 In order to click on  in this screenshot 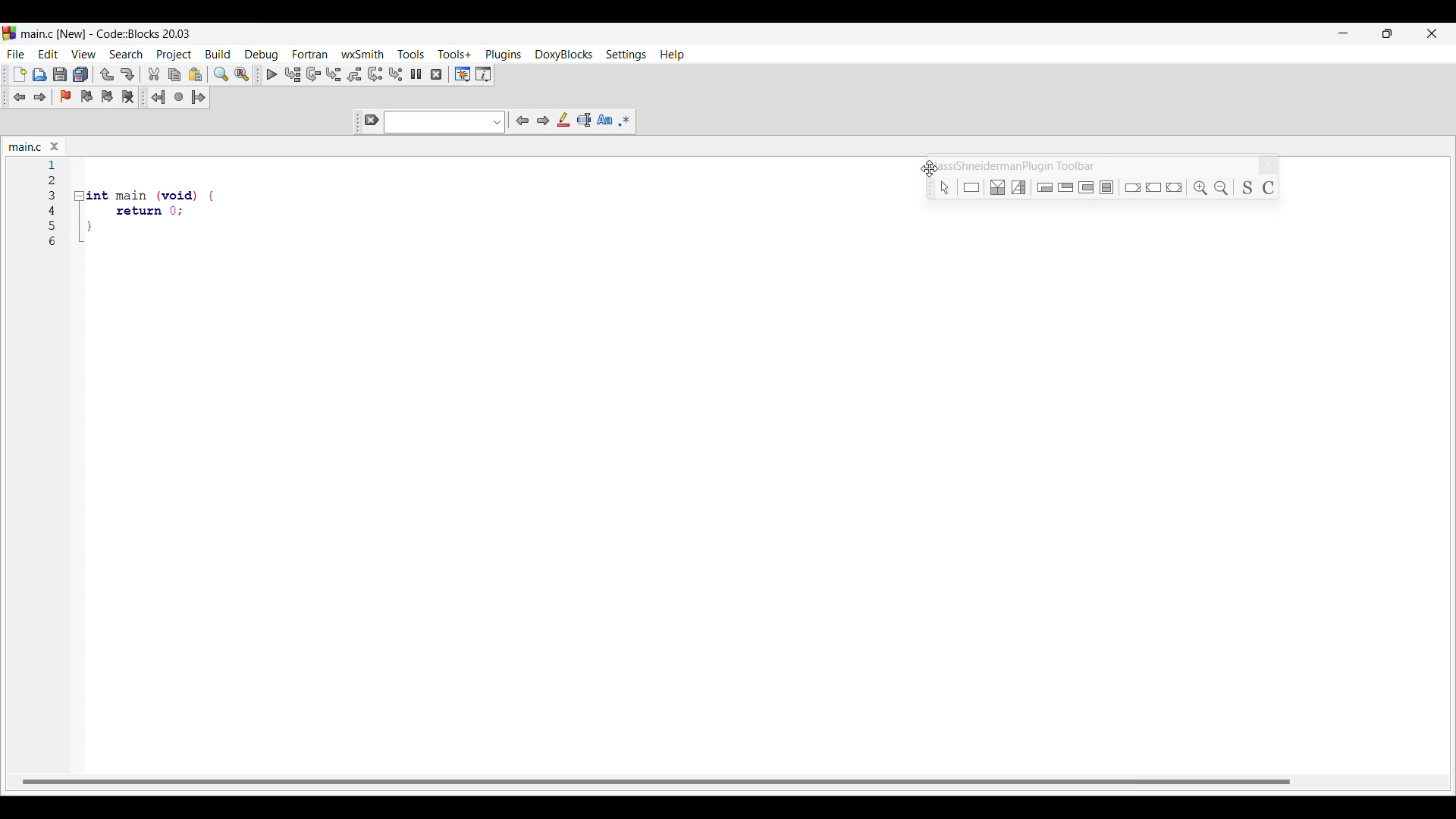, I will do `click(54, 195)`.